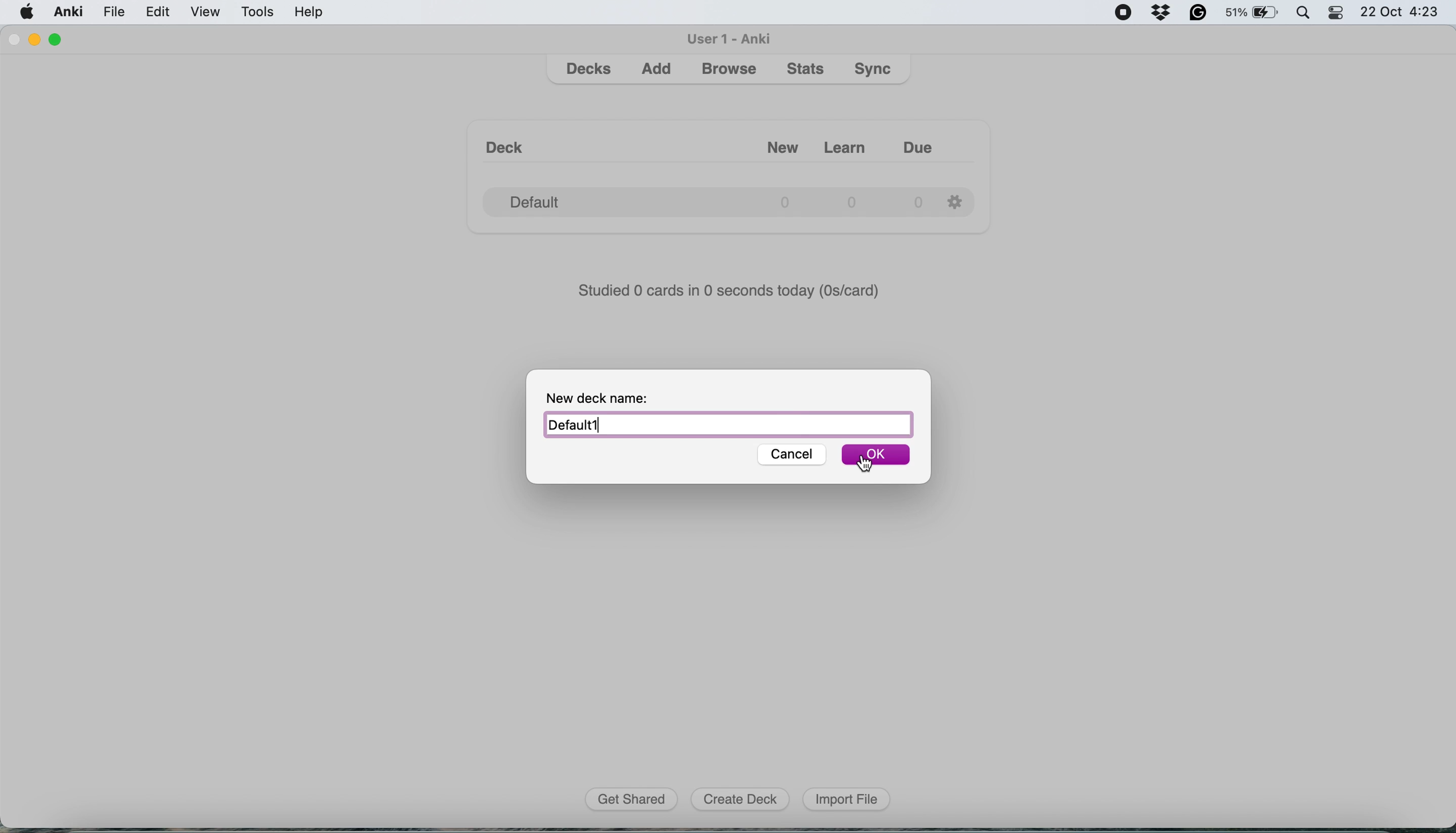 Image resolution: width=1456 pixels, height=833 pixels. I want to click on decks, so click(590, 69).